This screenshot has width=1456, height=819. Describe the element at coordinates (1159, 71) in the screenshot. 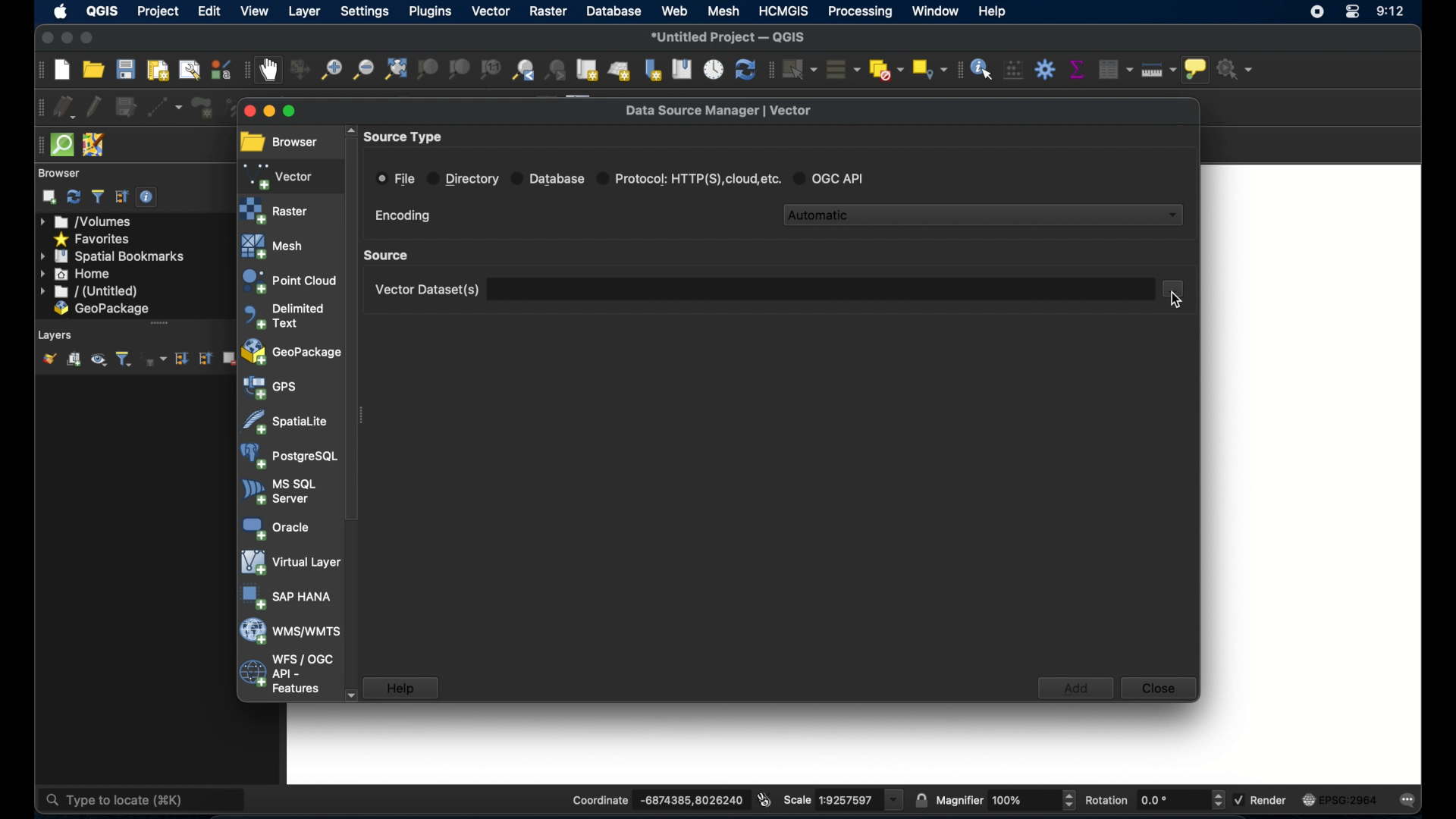

I see `measure line` at that location.